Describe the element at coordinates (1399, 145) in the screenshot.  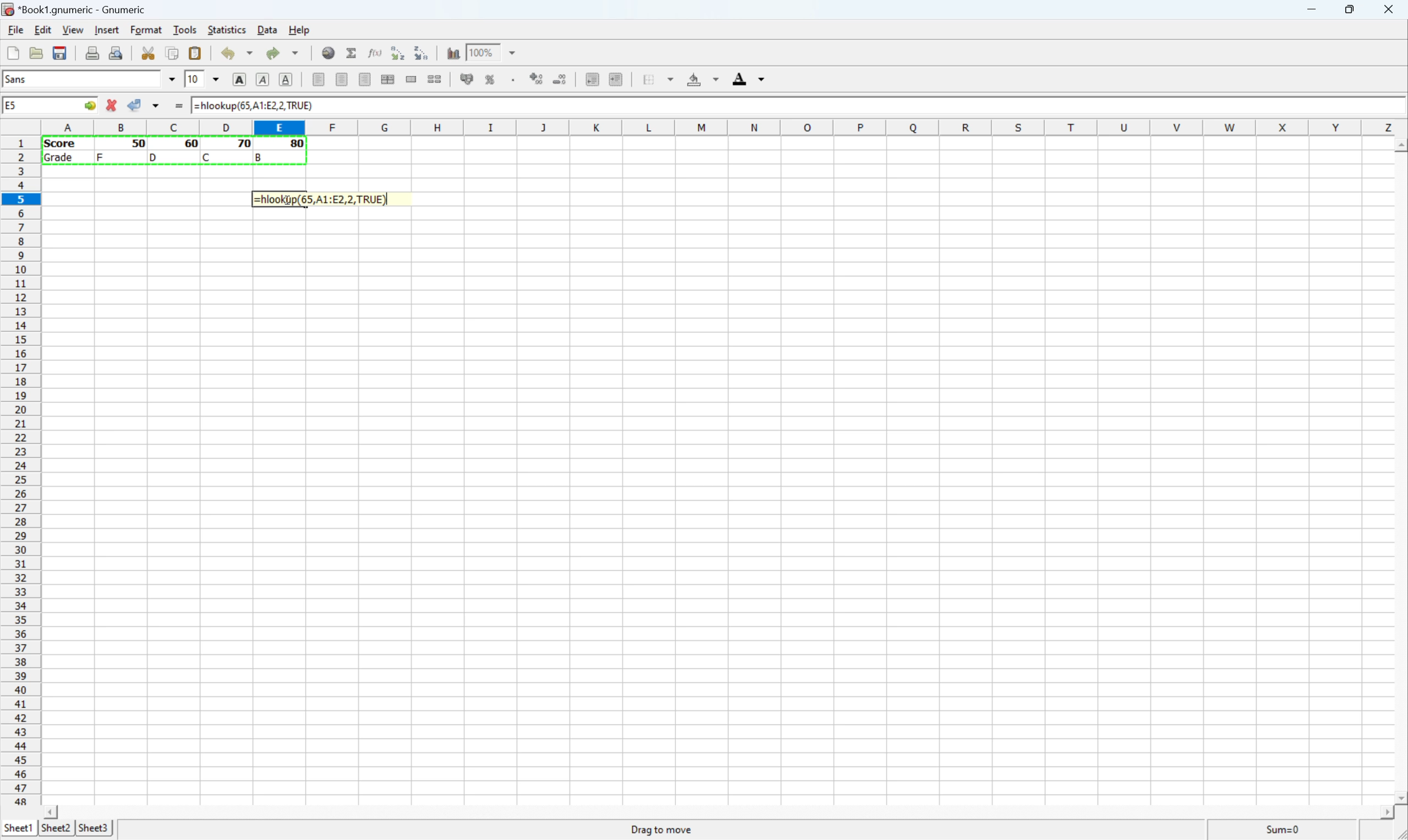
I see `Scroll Up` at that location.